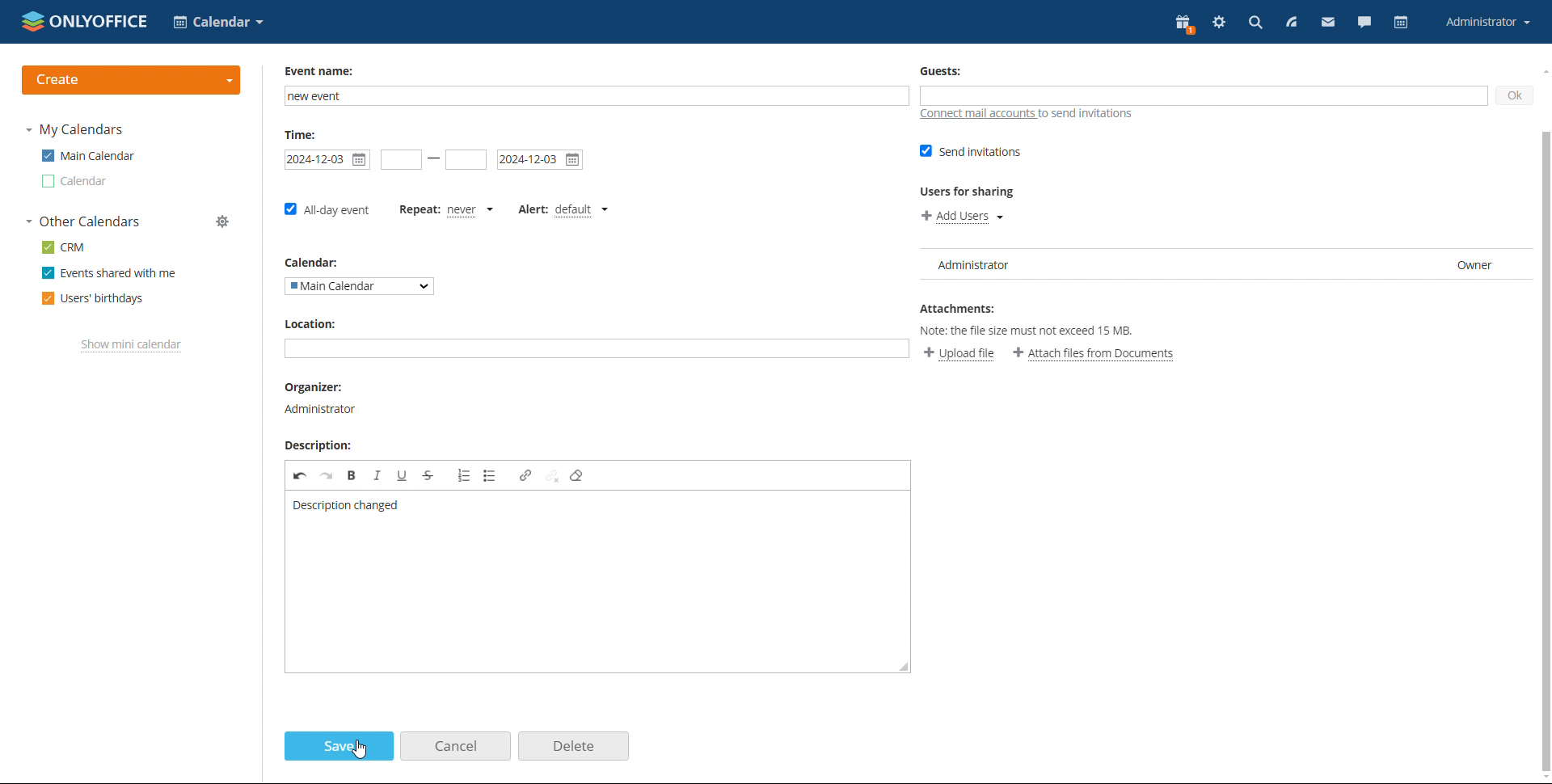 This screenshot has width=1552, height=784. Describe the element at coordinates (323, 70) in the screenshot. I see `Event name:` at that location.